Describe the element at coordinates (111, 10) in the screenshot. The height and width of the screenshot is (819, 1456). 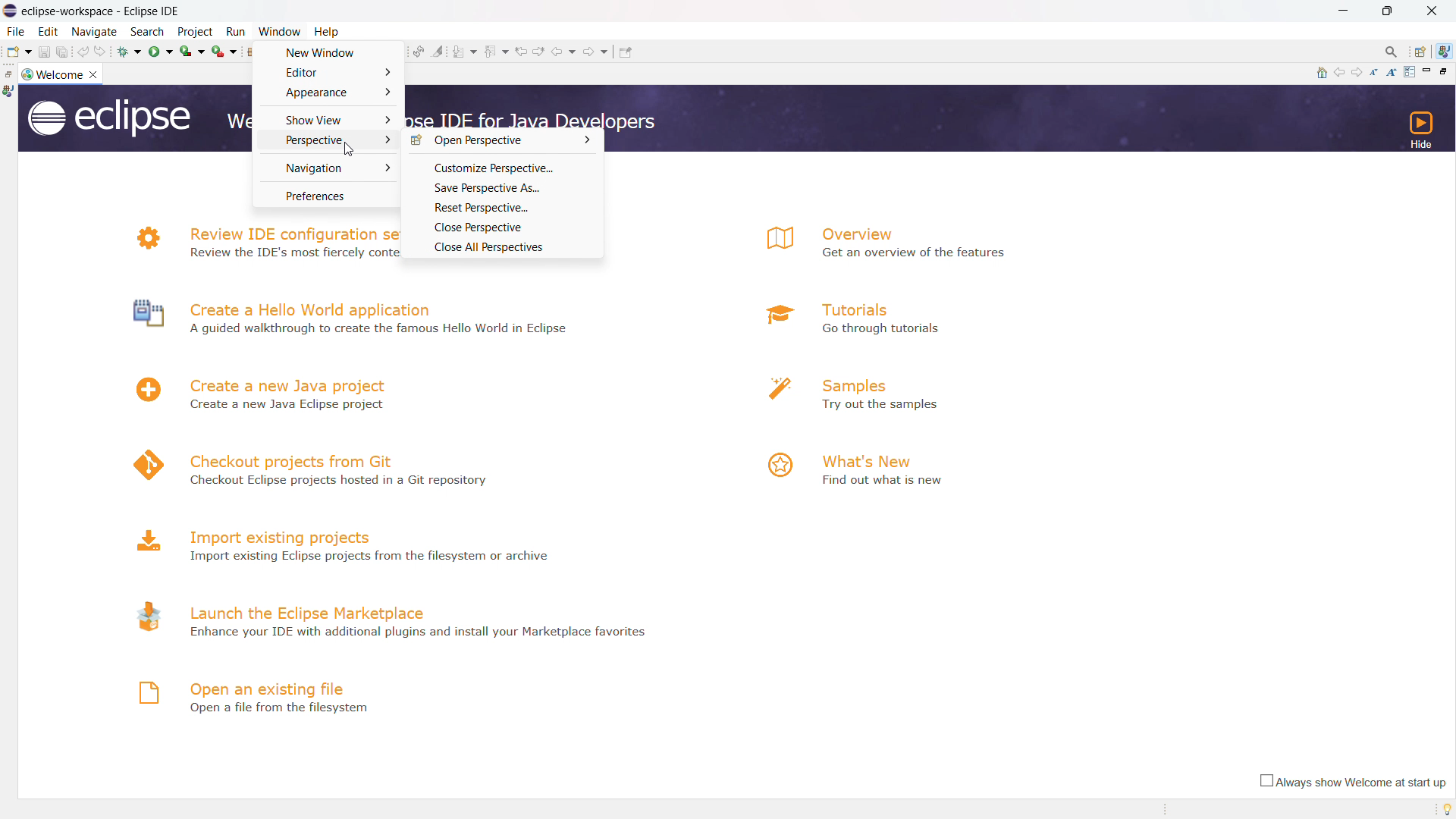
I see `Title` at that location.